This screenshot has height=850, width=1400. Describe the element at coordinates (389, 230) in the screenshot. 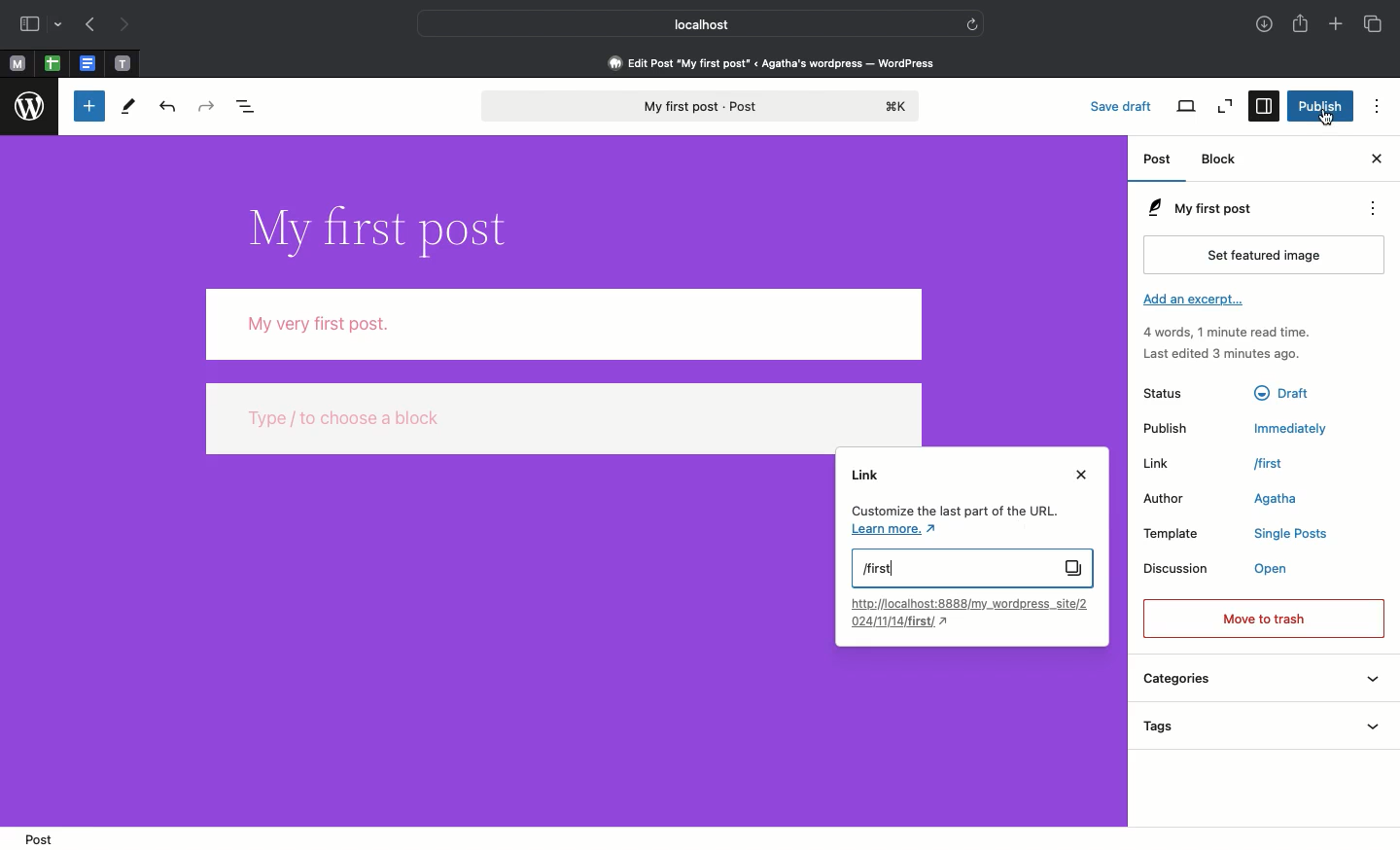

I see `Title` at that location.